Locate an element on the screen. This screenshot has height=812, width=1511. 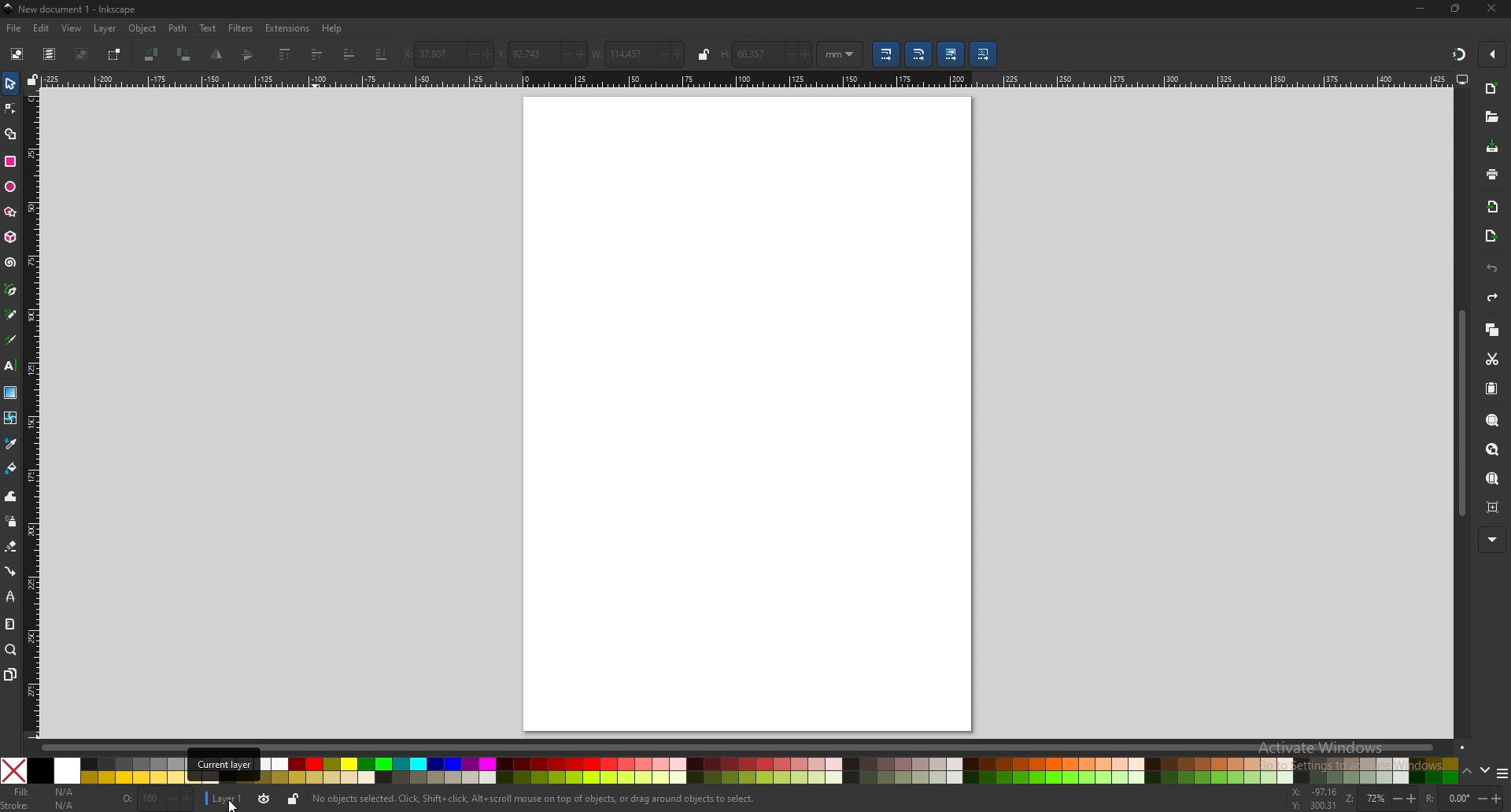
lock guides is located at coordinates (33, 79).